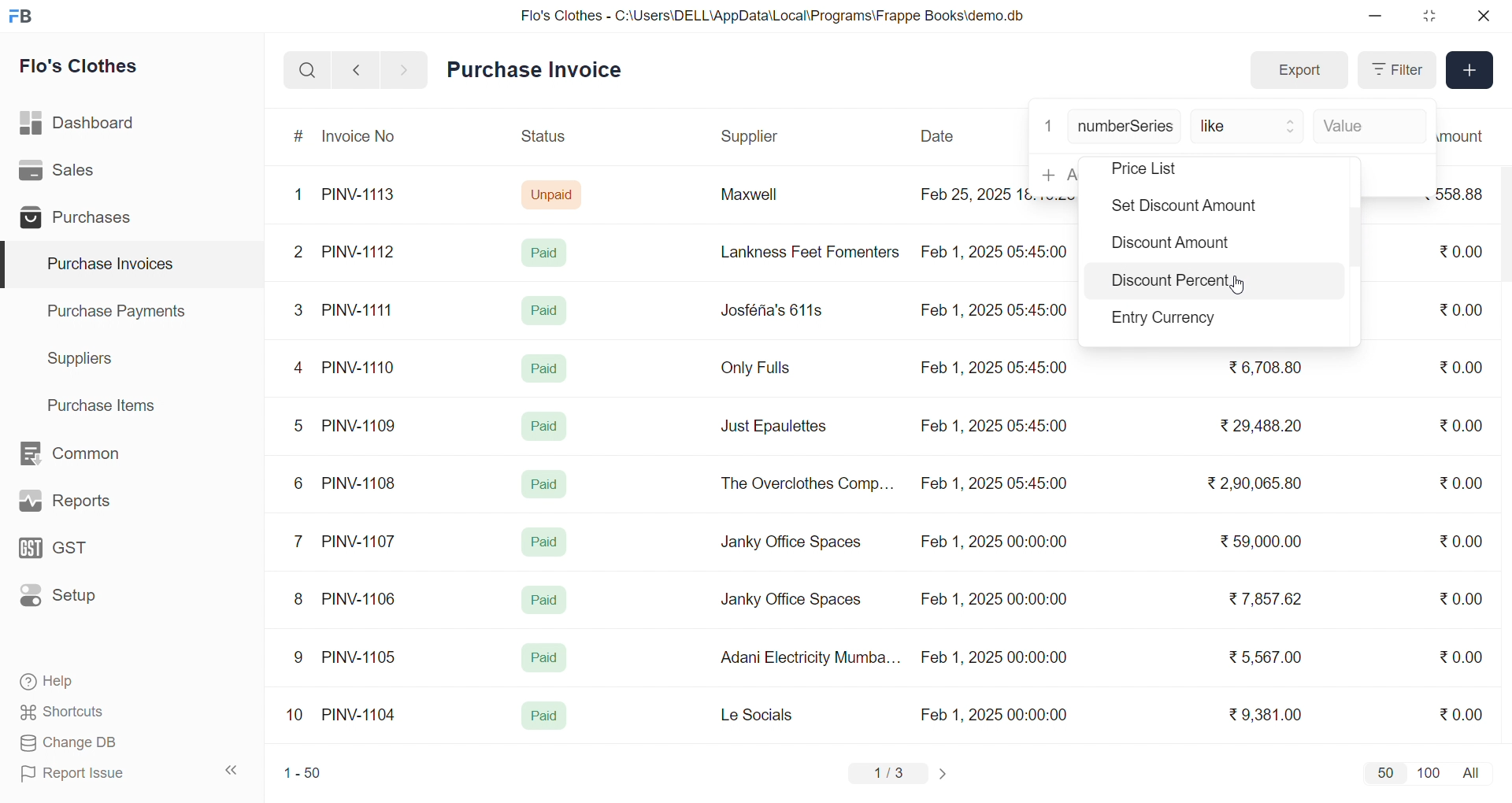 Image resolution: width=1512 pixels, height=803 pixels. Describe the element at coordinates (800, 252) in the screenshot. I see `Lankness Feet Fomenters` at that location.